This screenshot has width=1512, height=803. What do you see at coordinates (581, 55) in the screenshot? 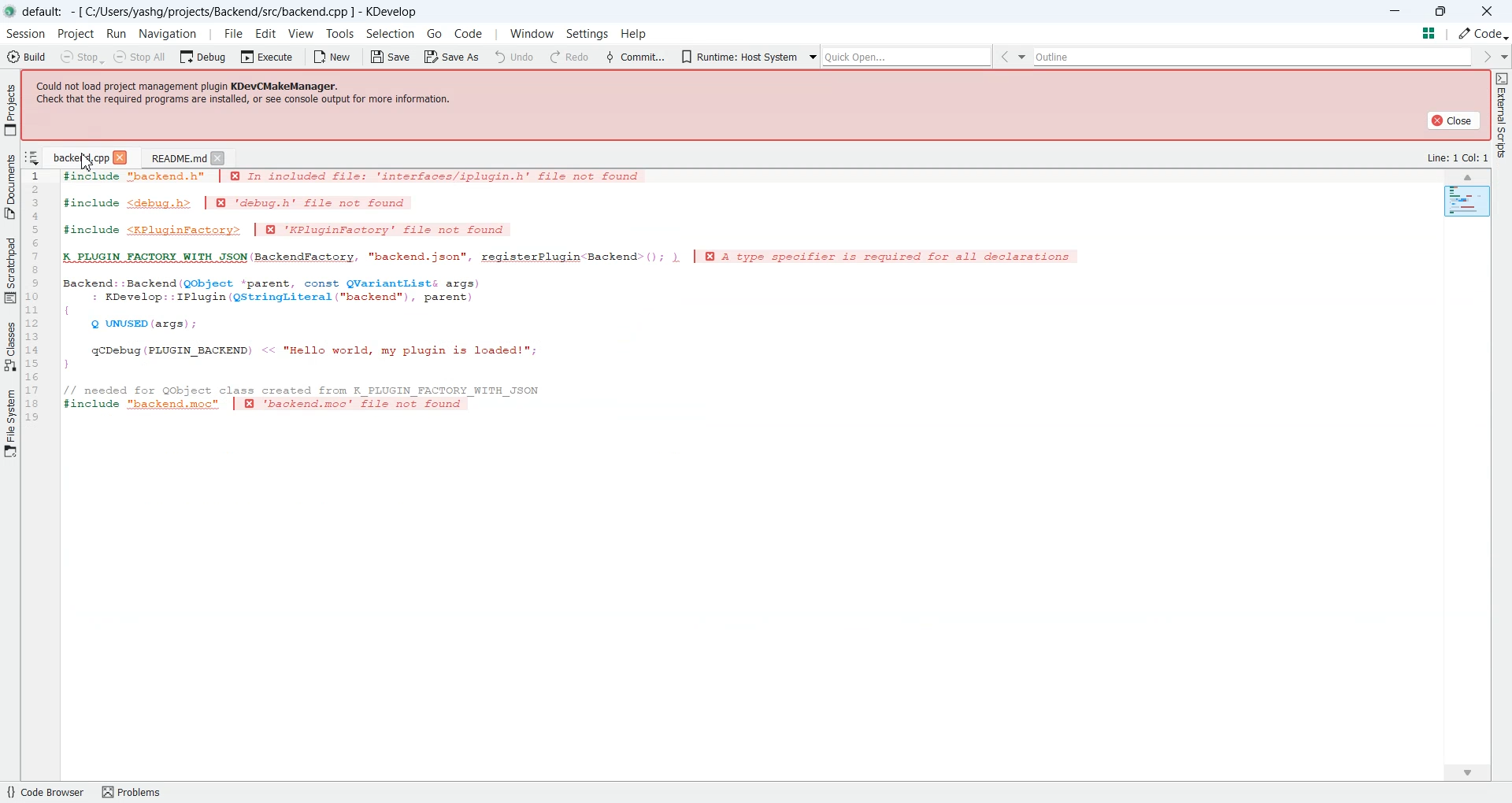
I see `Drop down box` at bounding box center [581, 55].